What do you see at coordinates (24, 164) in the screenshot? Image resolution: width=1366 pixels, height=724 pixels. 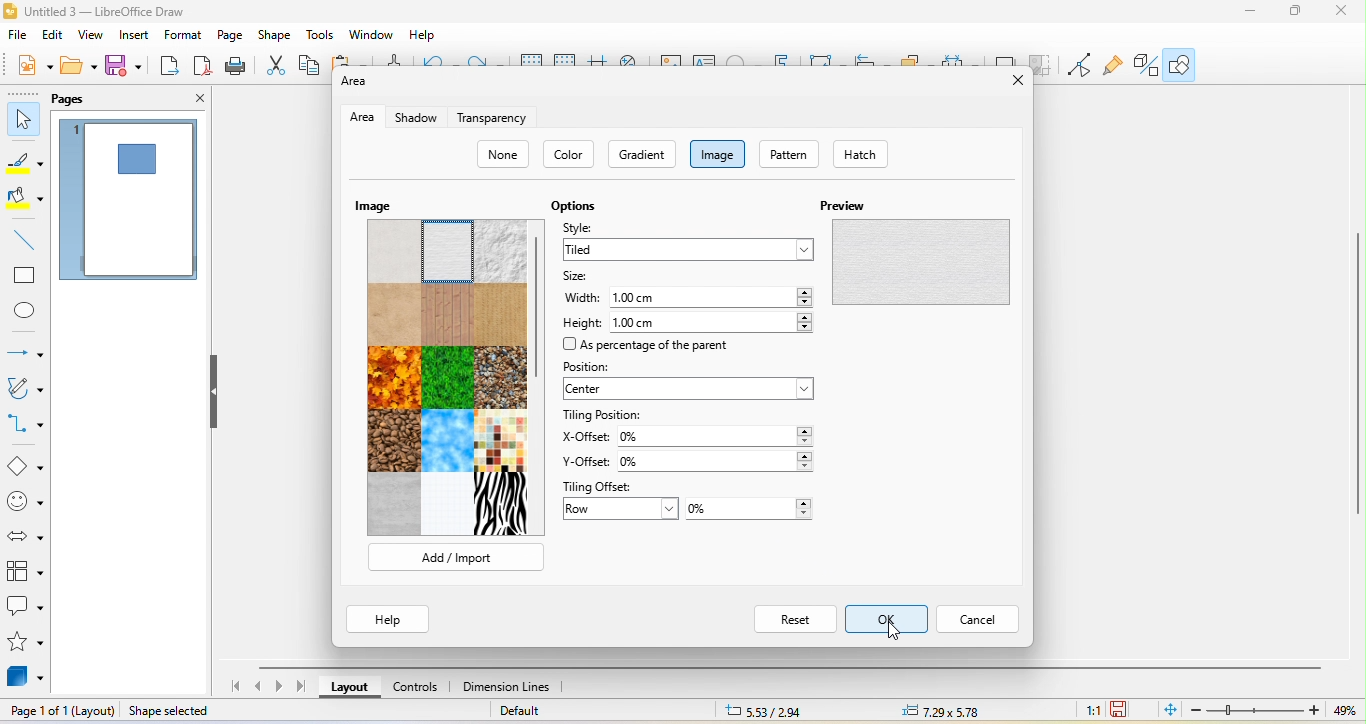 I see `line color` at bounding box center [24, 164].